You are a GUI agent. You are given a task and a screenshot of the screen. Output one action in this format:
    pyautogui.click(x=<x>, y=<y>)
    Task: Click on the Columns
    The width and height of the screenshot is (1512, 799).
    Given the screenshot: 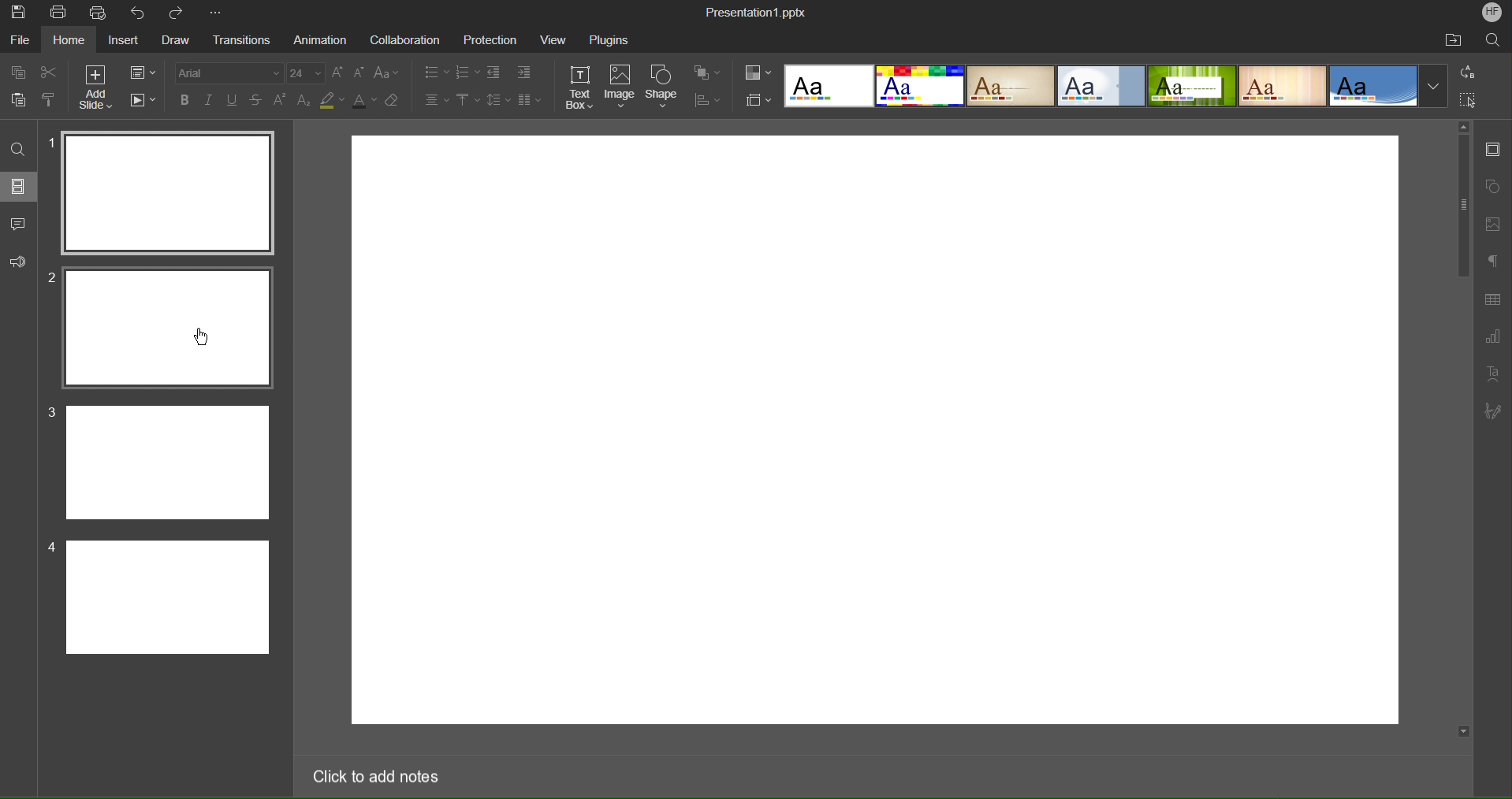 What is the action you would take?
    pyautogui.click(x=527, y=98)
    